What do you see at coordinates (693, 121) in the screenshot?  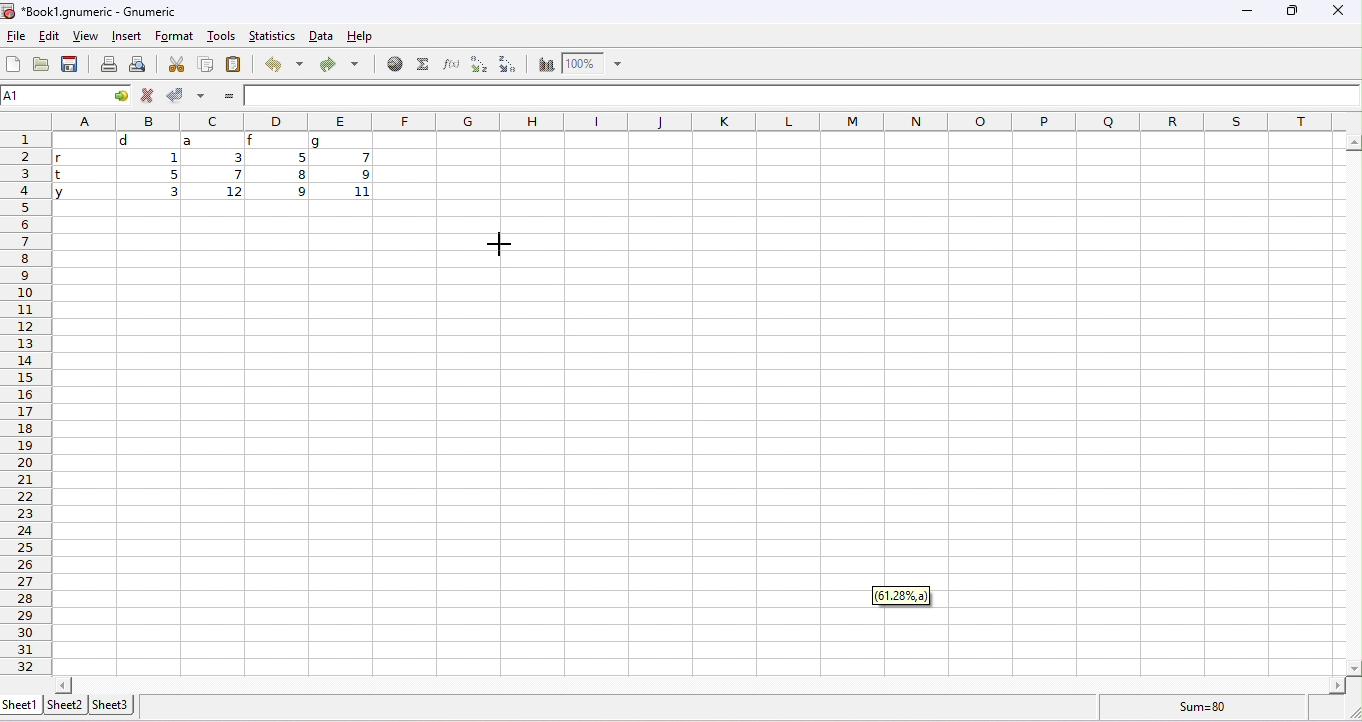 I see `column headings` at bounding box center [693, 121].